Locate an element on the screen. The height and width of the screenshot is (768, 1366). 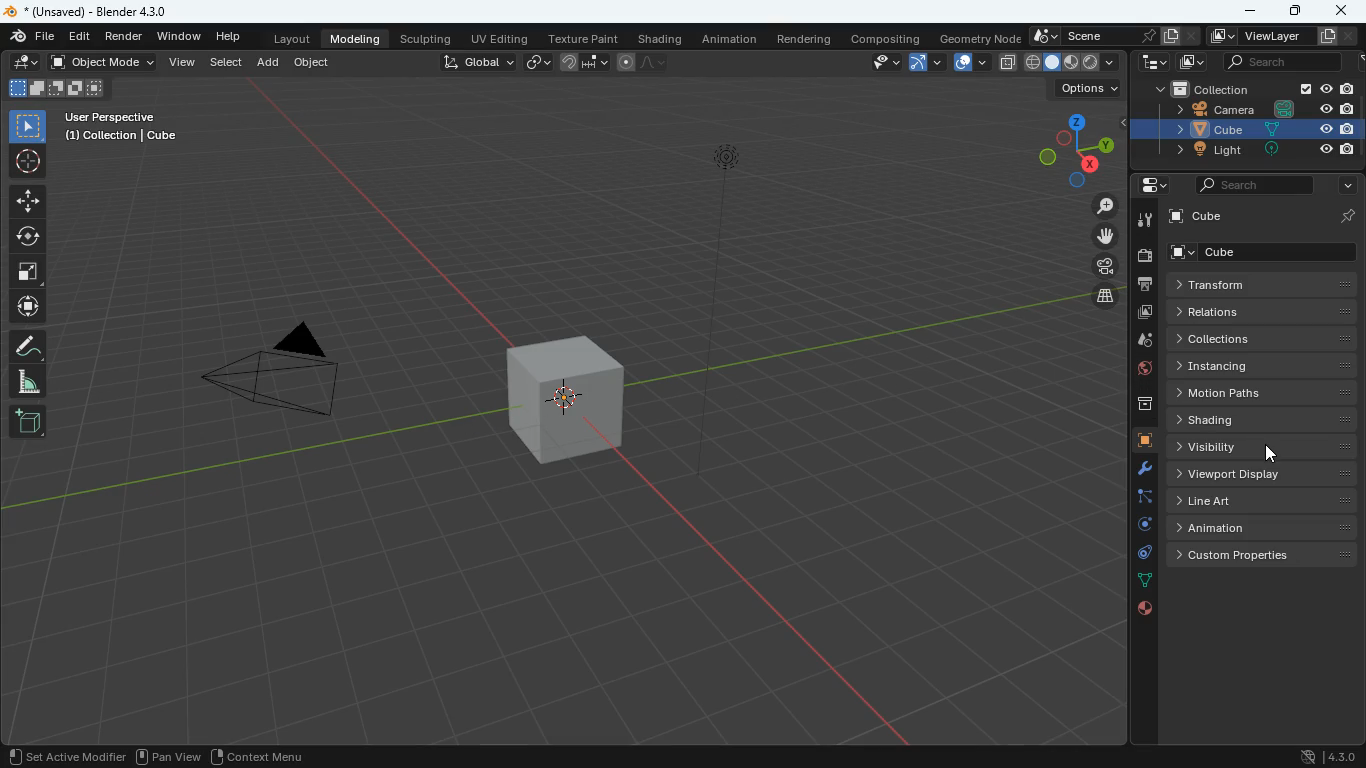
full screen is located at coordinates (27, 273).